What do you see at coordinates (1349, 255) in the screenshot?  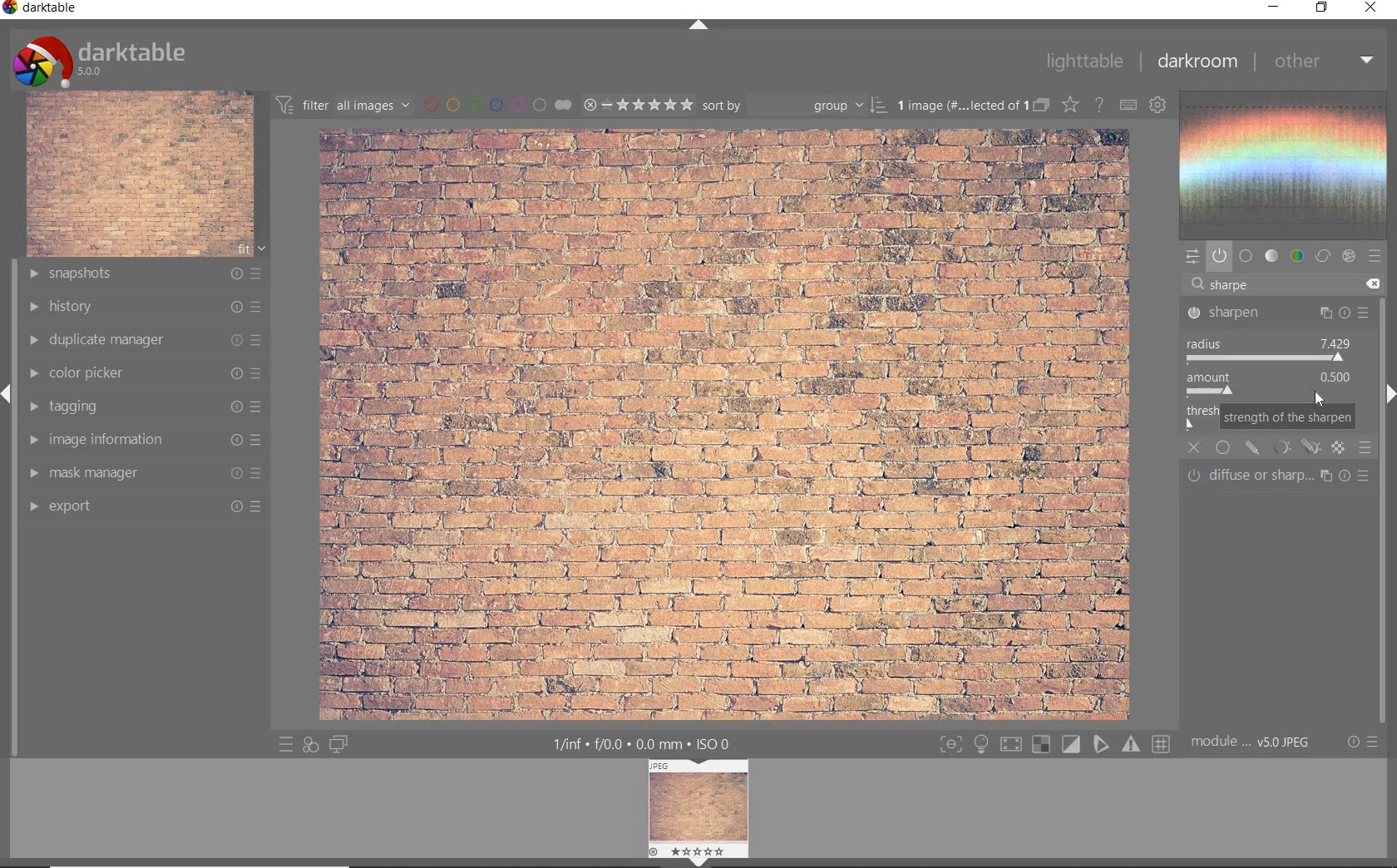 I see `effect` at bounding box center [1349, 255].